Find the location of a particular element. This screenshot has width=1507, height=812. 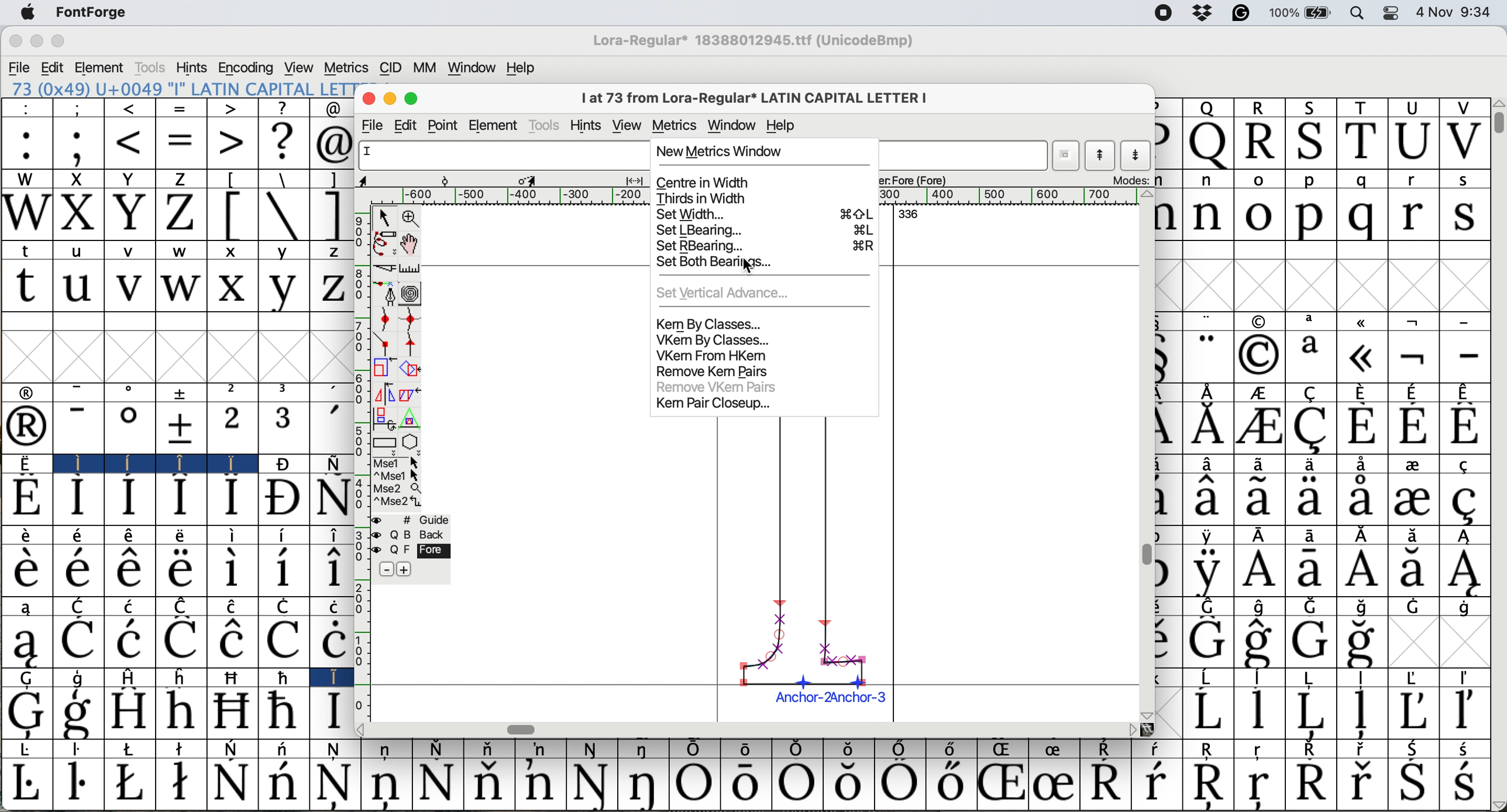

metrics is located at coordinates (675, 123).